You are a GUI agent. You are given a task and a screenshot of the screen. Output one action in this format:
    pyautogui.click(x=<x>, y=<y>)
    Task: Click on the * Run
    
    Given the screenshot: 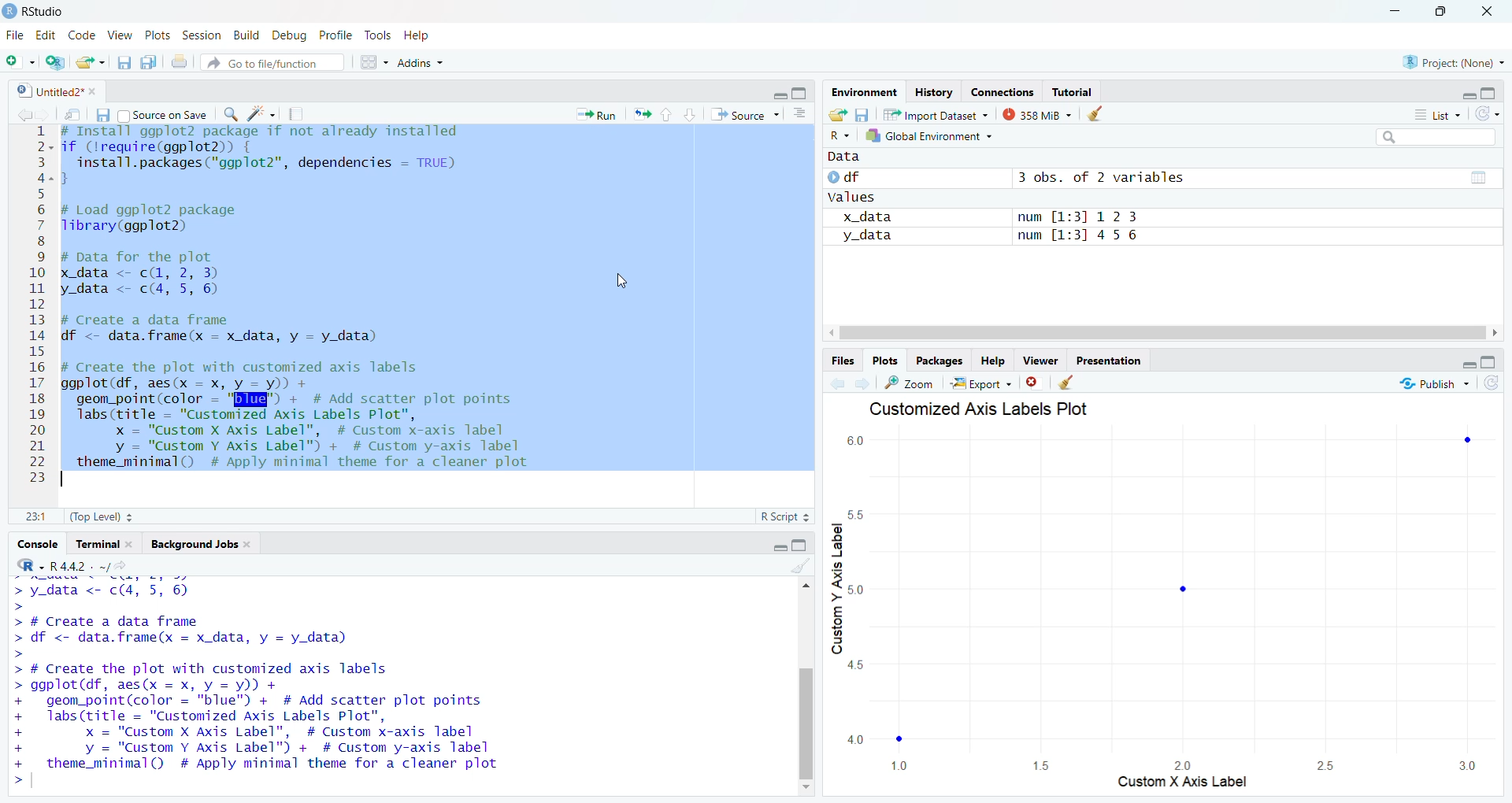 What is the action you would take?
    pyautogui.click(x=599, y=114)
    